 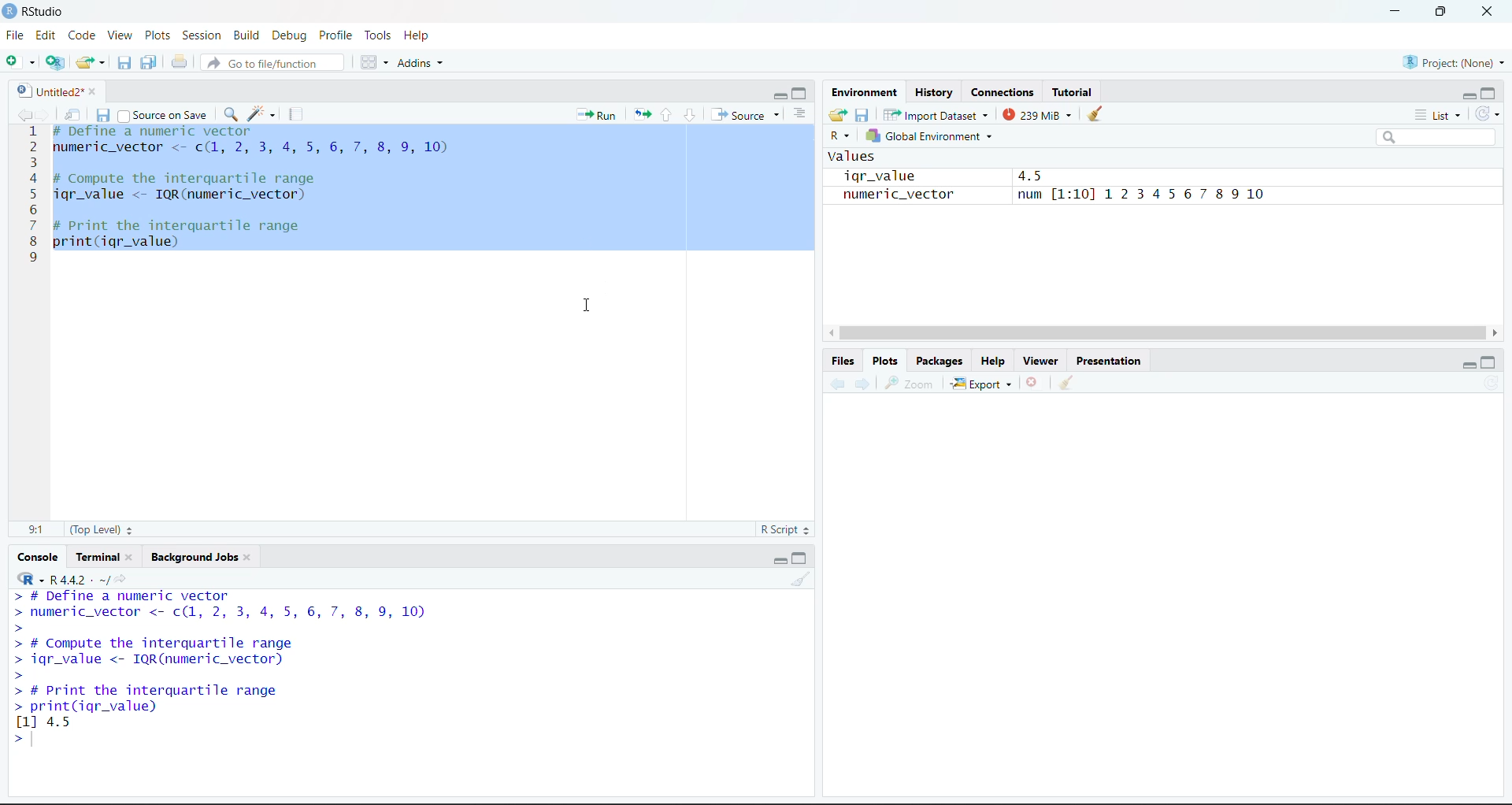 What do you see at coordinates (250, 670) in the screenshot?
I see `> # Define a numeric vector

> numeric_vector <- c(1, 2, 3, 4, 5, 6, 7, 8, 9, 10)
>

> # Compute the interquartile range

> igr_value <- IQR(numeric_vector)

>

> # Print the interquartile range

> print(igr_value)

[1] 4.5

>|` at bounding box center [250, 670].